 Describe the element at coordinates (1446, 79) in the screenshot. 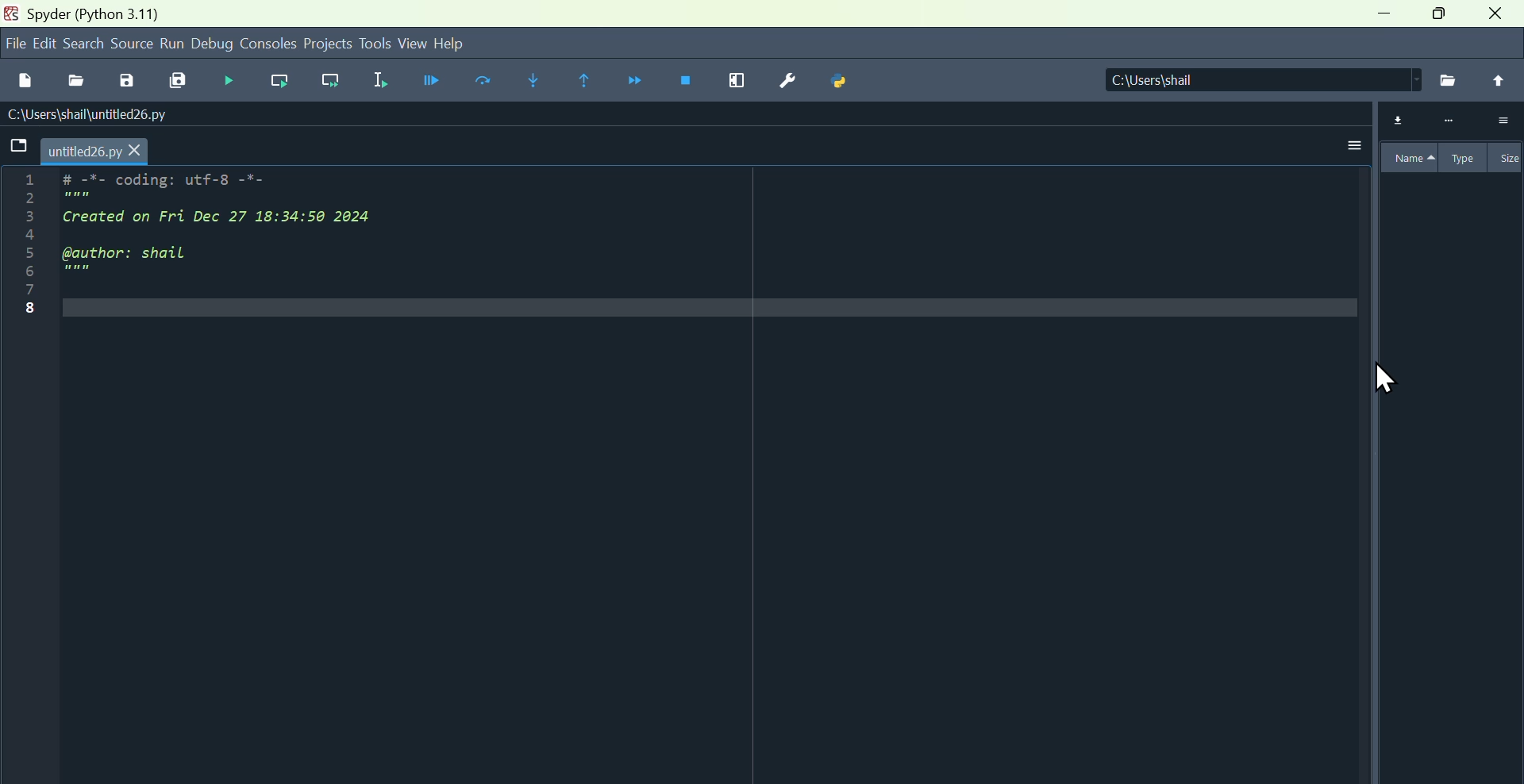

I see `files` at that location.